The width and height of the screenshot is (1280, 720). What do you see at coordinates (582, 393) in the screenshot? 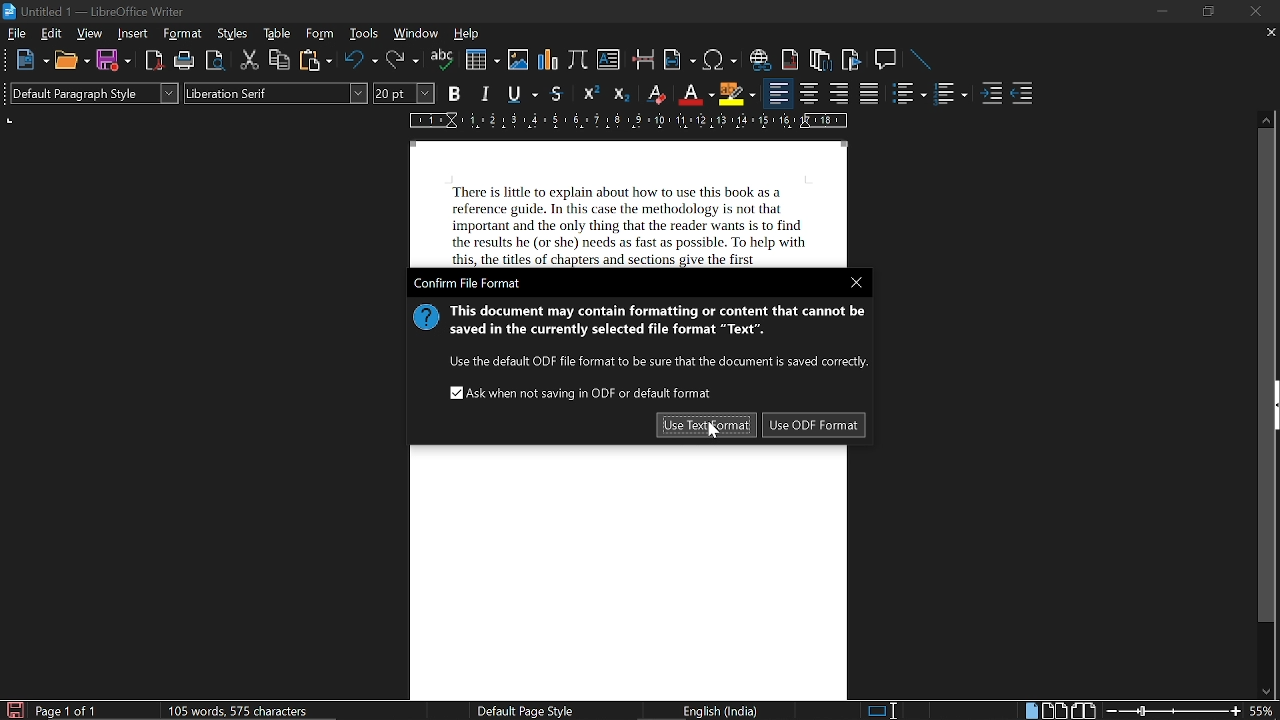
I see `ask when not saving in ODF or default format` at bounding box center [582, 393].